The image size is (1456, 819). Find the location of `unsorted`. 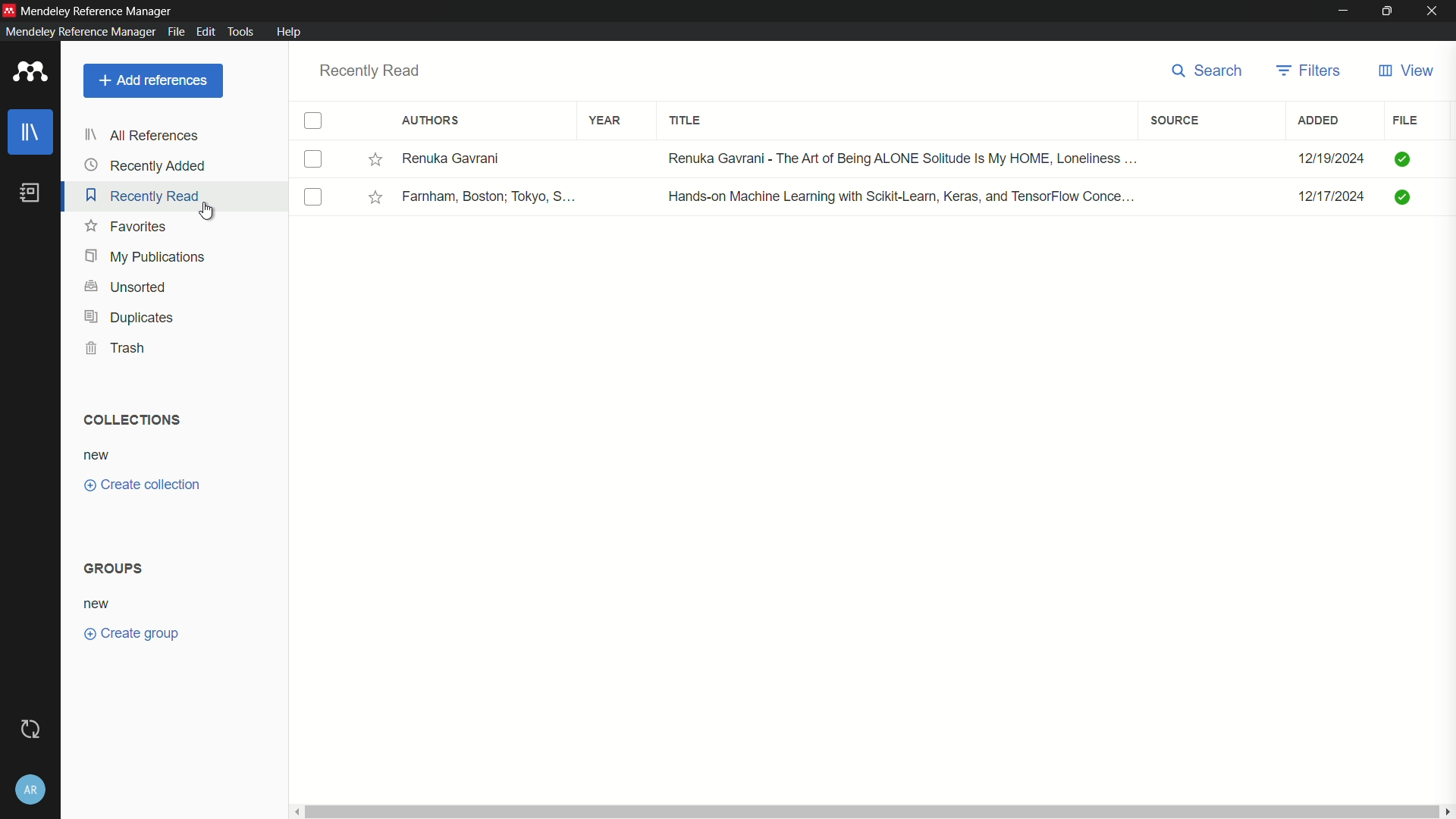

unsorted is located at coordinates (126, 287).